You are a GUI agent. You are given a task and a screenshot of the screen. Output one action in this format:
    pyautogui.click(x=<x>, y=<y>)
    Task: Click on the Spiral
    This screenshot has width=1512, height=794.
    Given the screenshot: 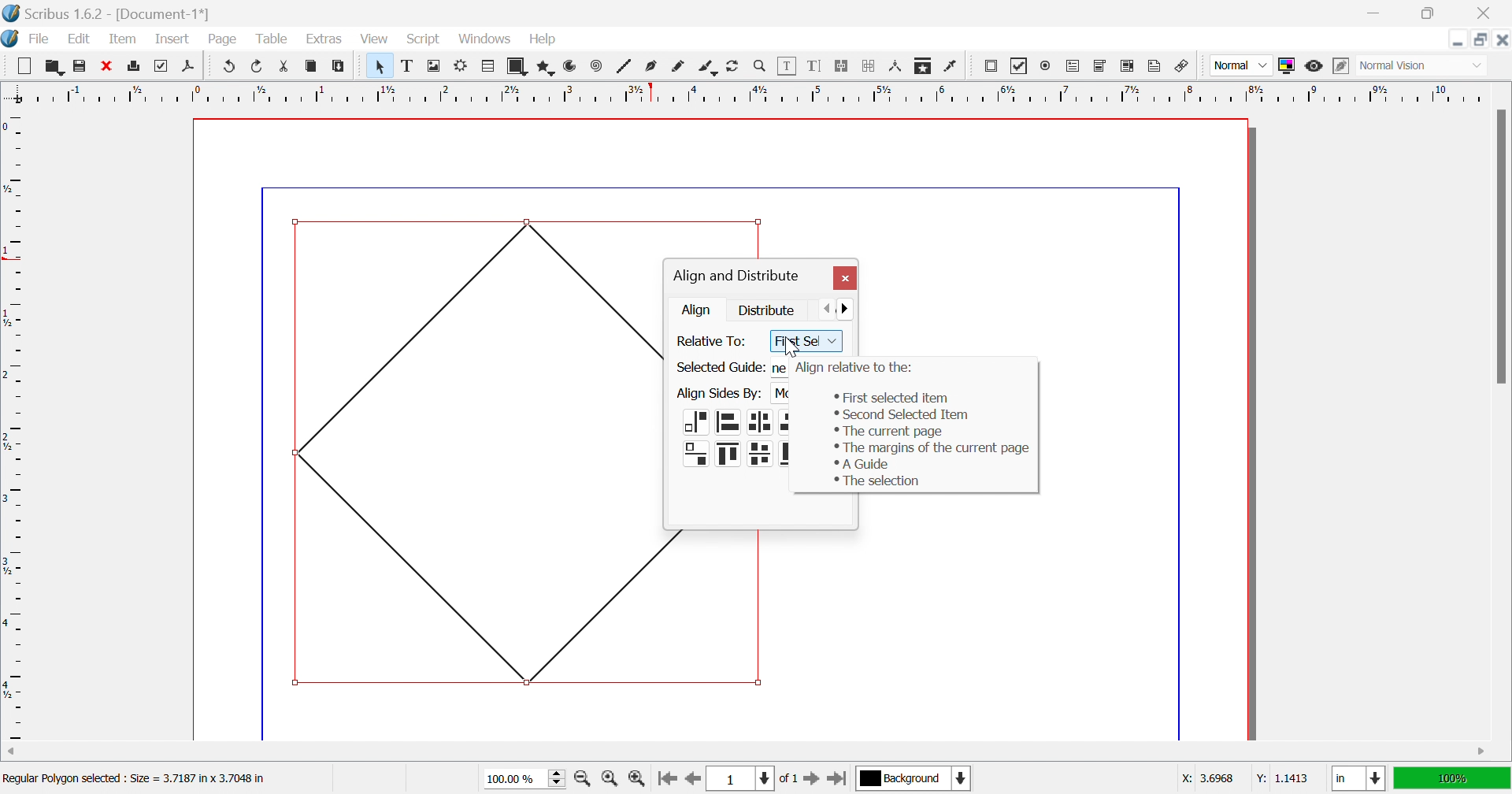 What is the action you would take?
    pyautogui.click(x=600, y=65)
    